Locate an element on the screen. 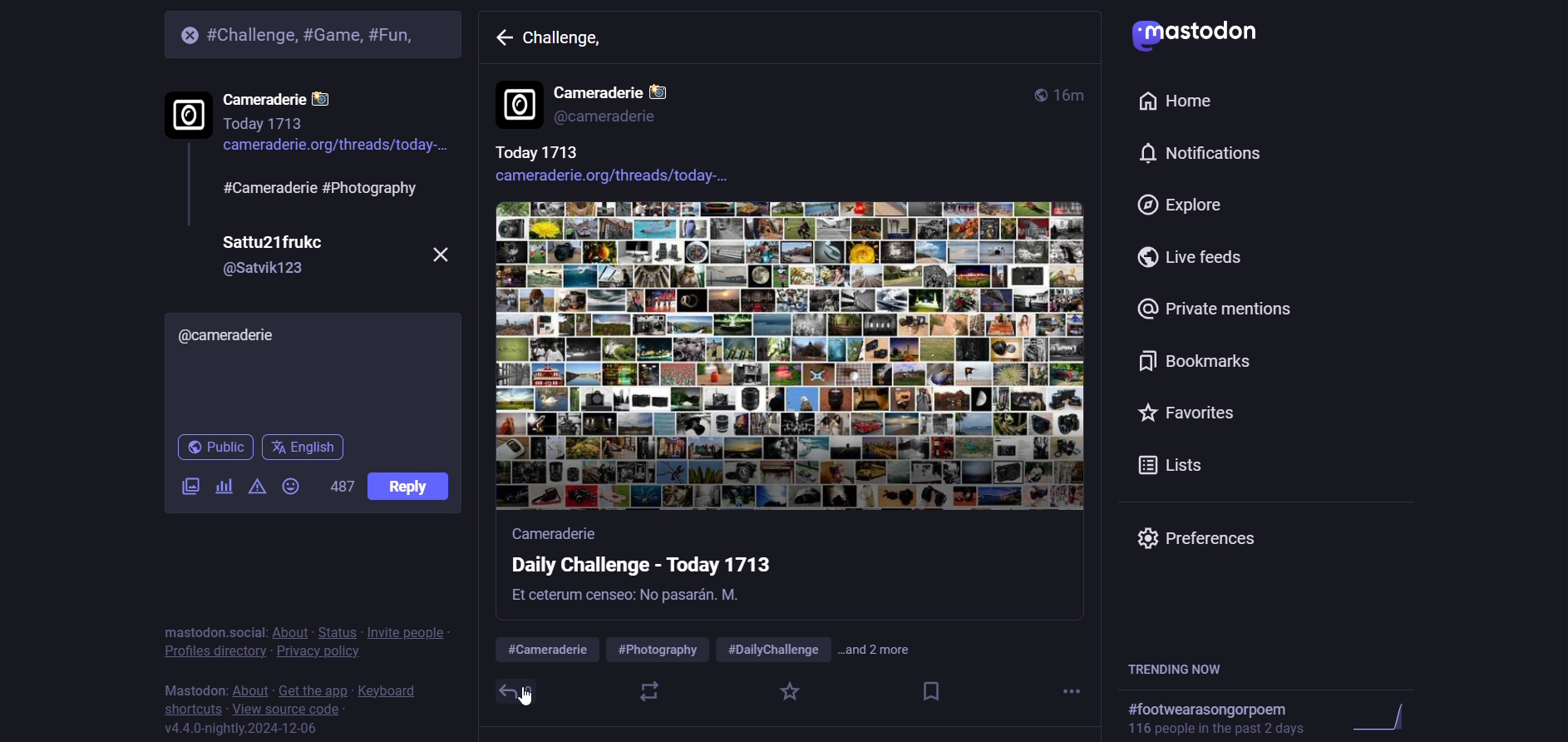 The height and width of the screenshot is (742, 1568). link is located at coordinates (606, 183).